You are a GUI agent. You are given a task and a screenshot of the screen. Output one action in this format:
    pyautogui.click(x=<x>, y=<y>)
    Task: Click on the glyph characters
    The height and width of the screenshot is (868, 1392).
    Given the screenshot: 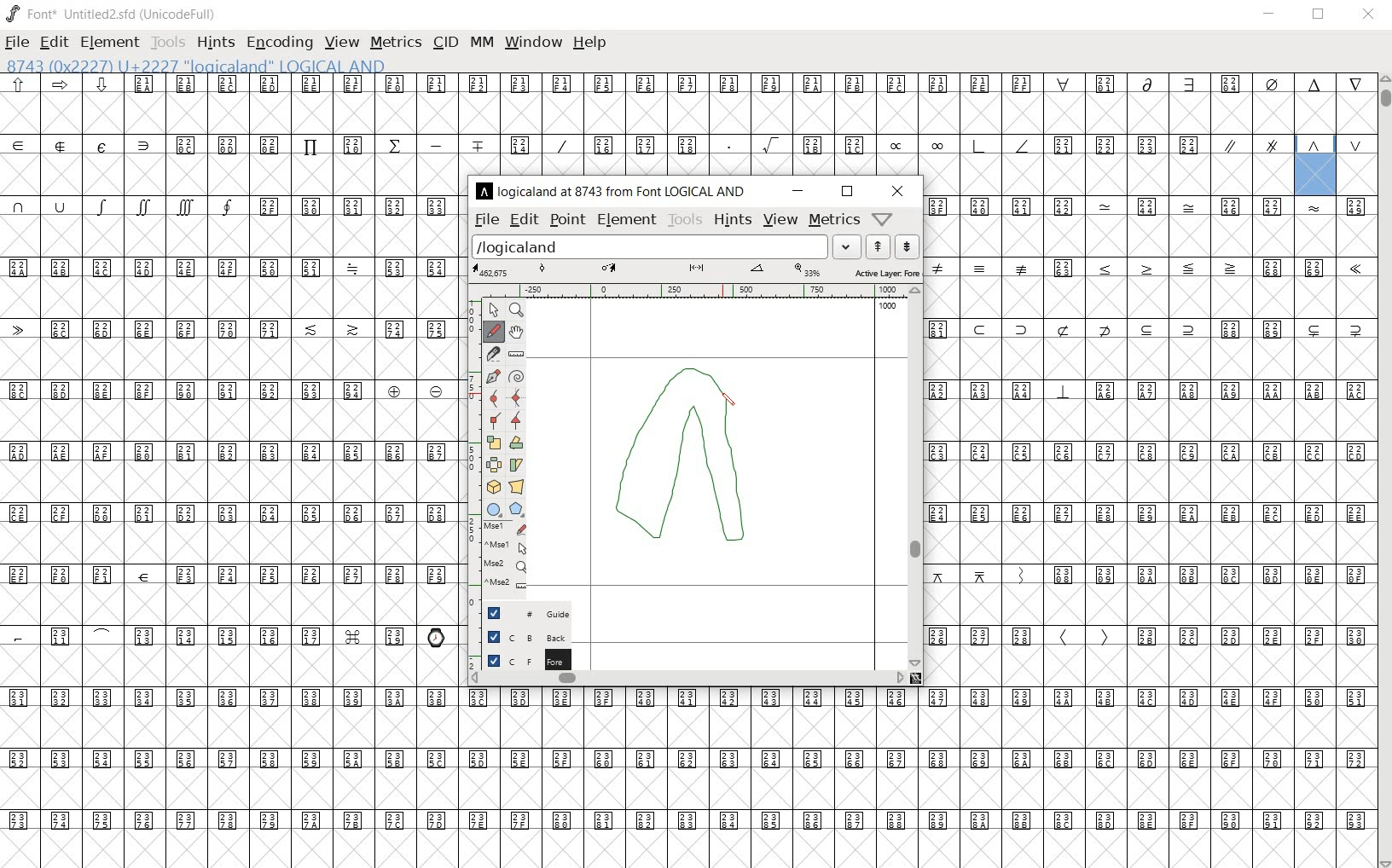 What is the action you would take?
    pyautogui.click(x=917, y=778)
    